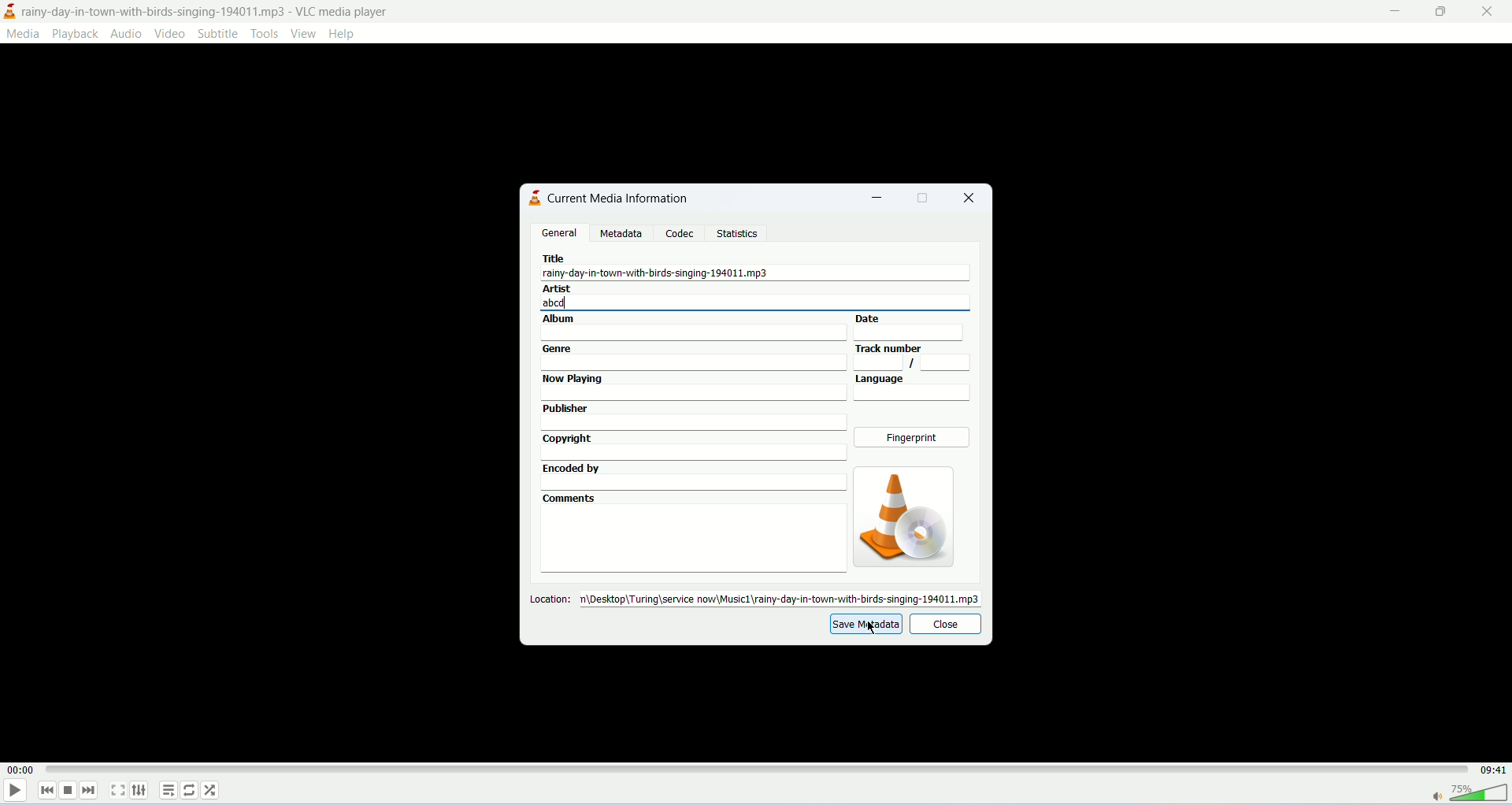  Describe the element at coordinates (76, 34) in the screenshot. I see `playback` at that location.